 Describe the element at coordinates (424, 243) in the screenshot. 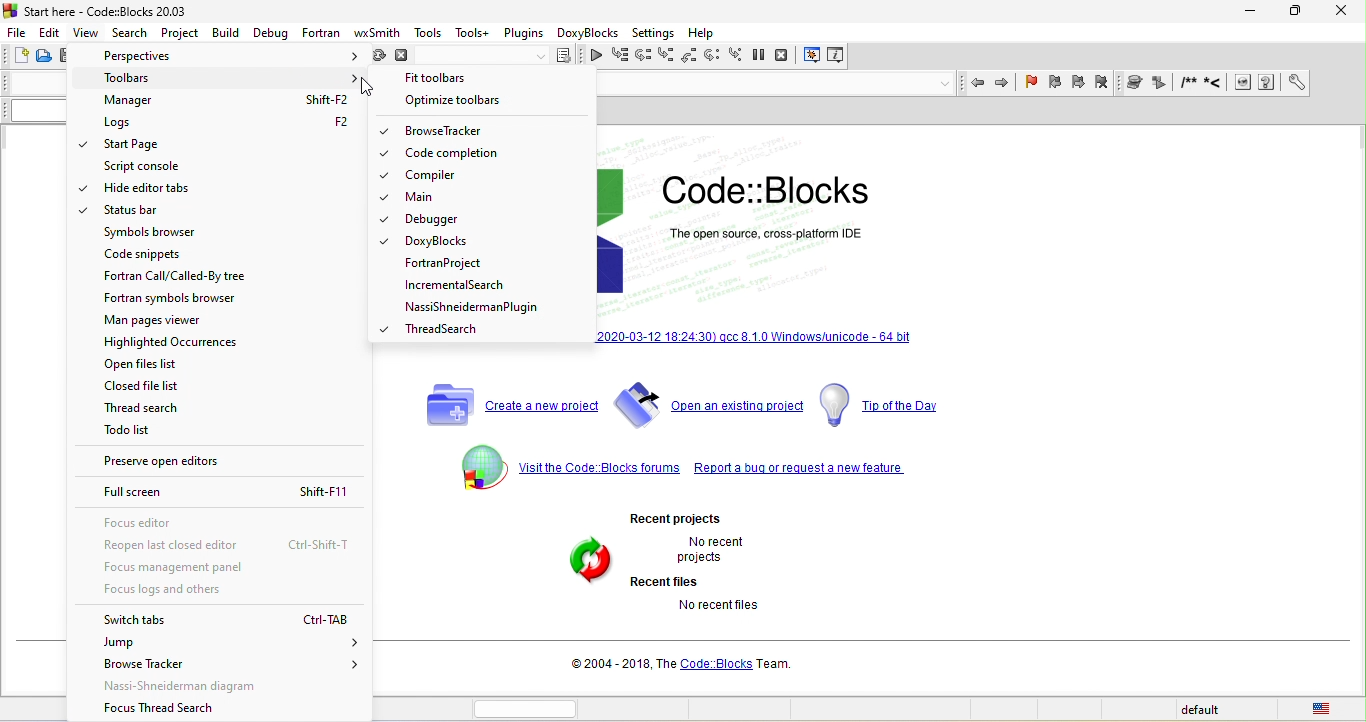

I see `doxy blocks` at that location.